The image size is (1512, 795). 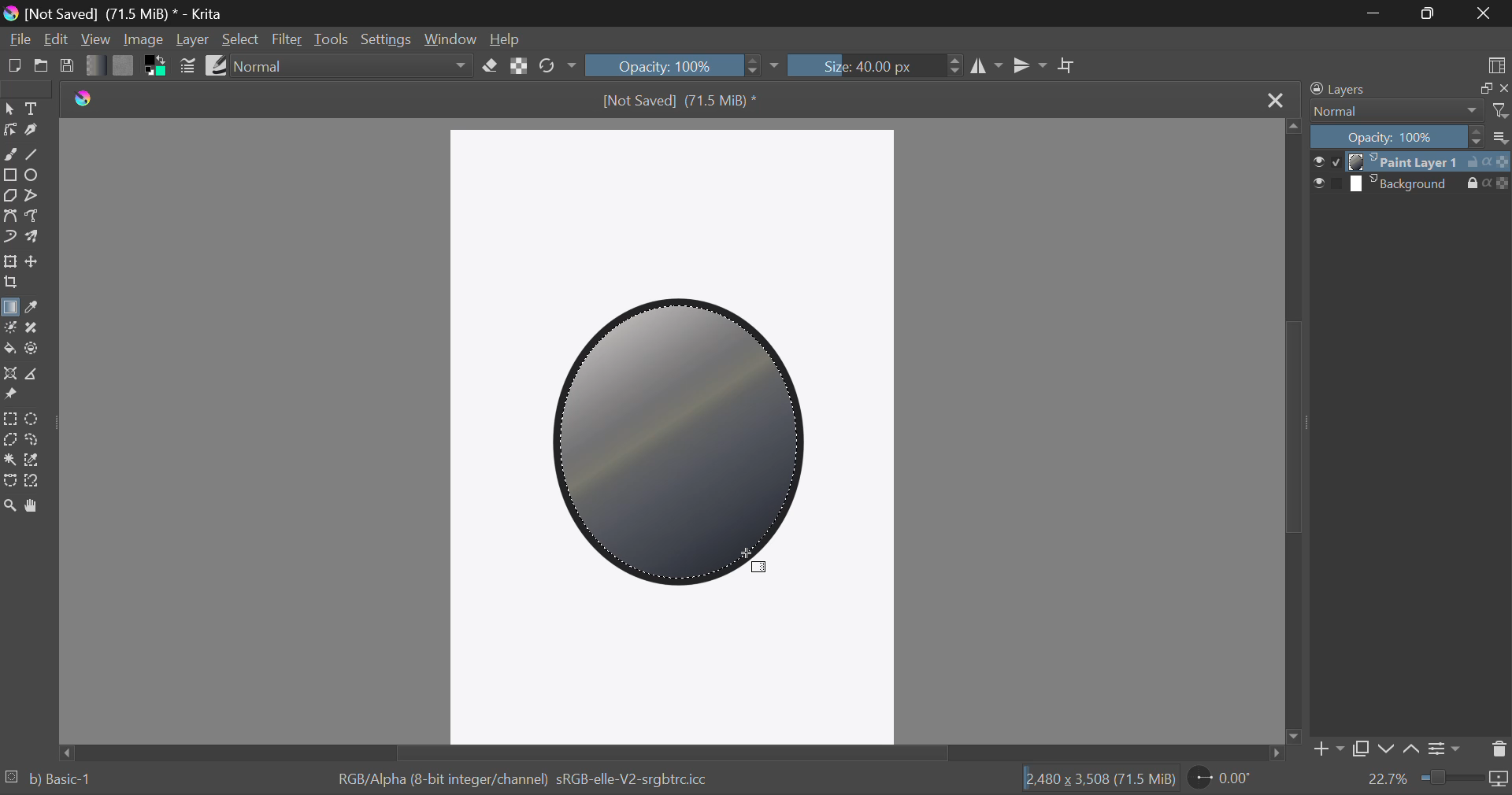 I want to click on Calligraphic Tool, so click(x=34, y=133).